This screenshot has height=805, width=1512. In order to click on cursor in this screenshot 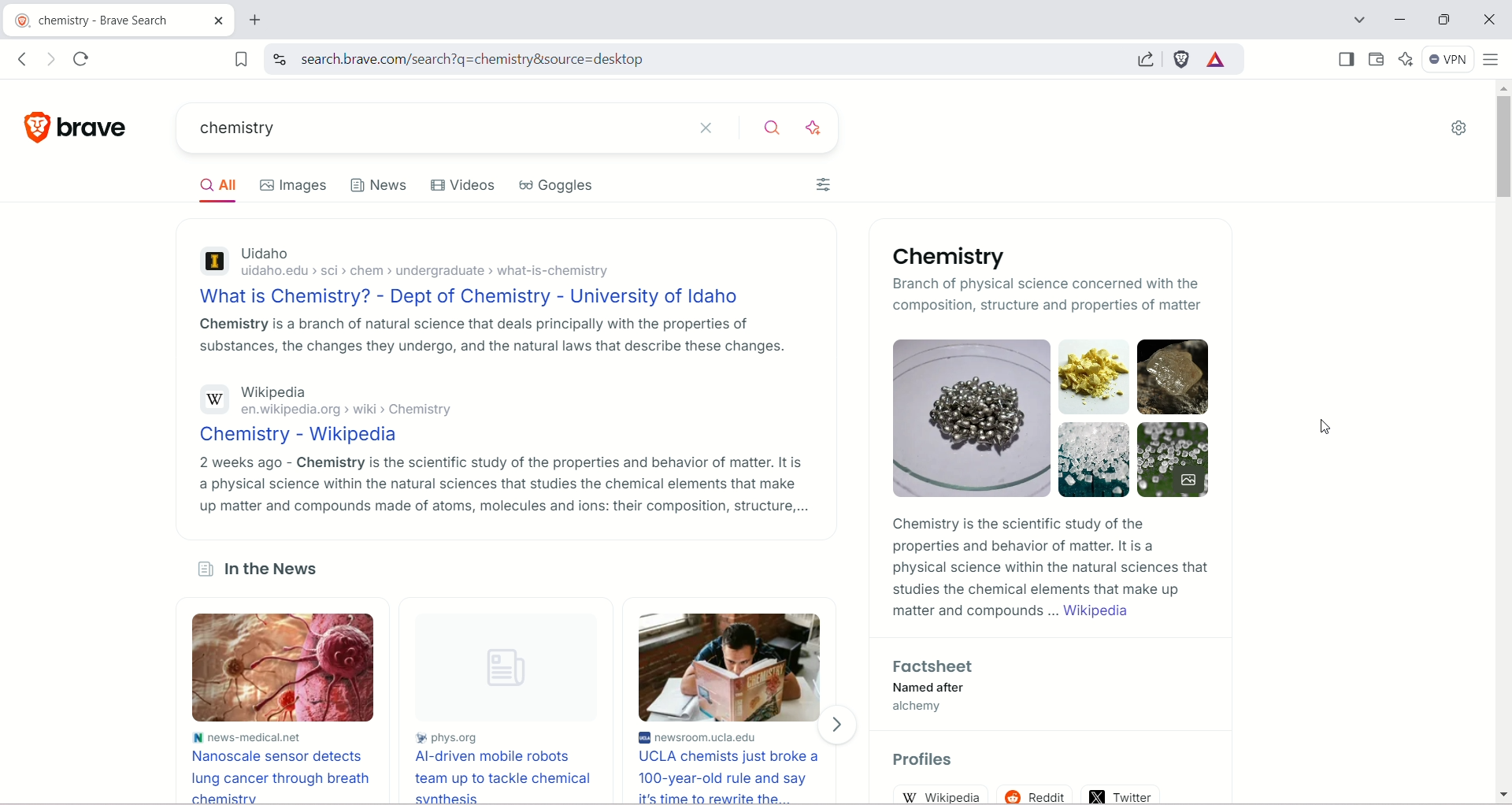, I will do `click(1324, 427)`.